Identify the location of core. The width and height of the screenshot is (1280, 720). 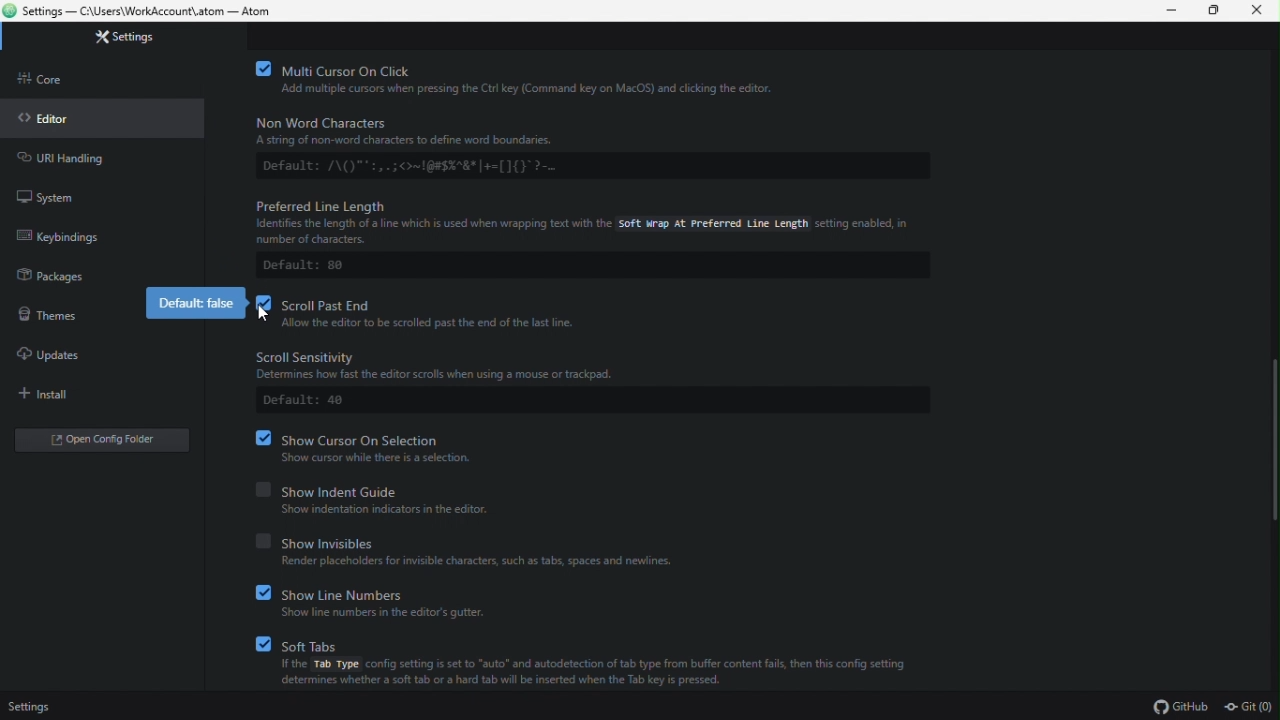
(51, 84).